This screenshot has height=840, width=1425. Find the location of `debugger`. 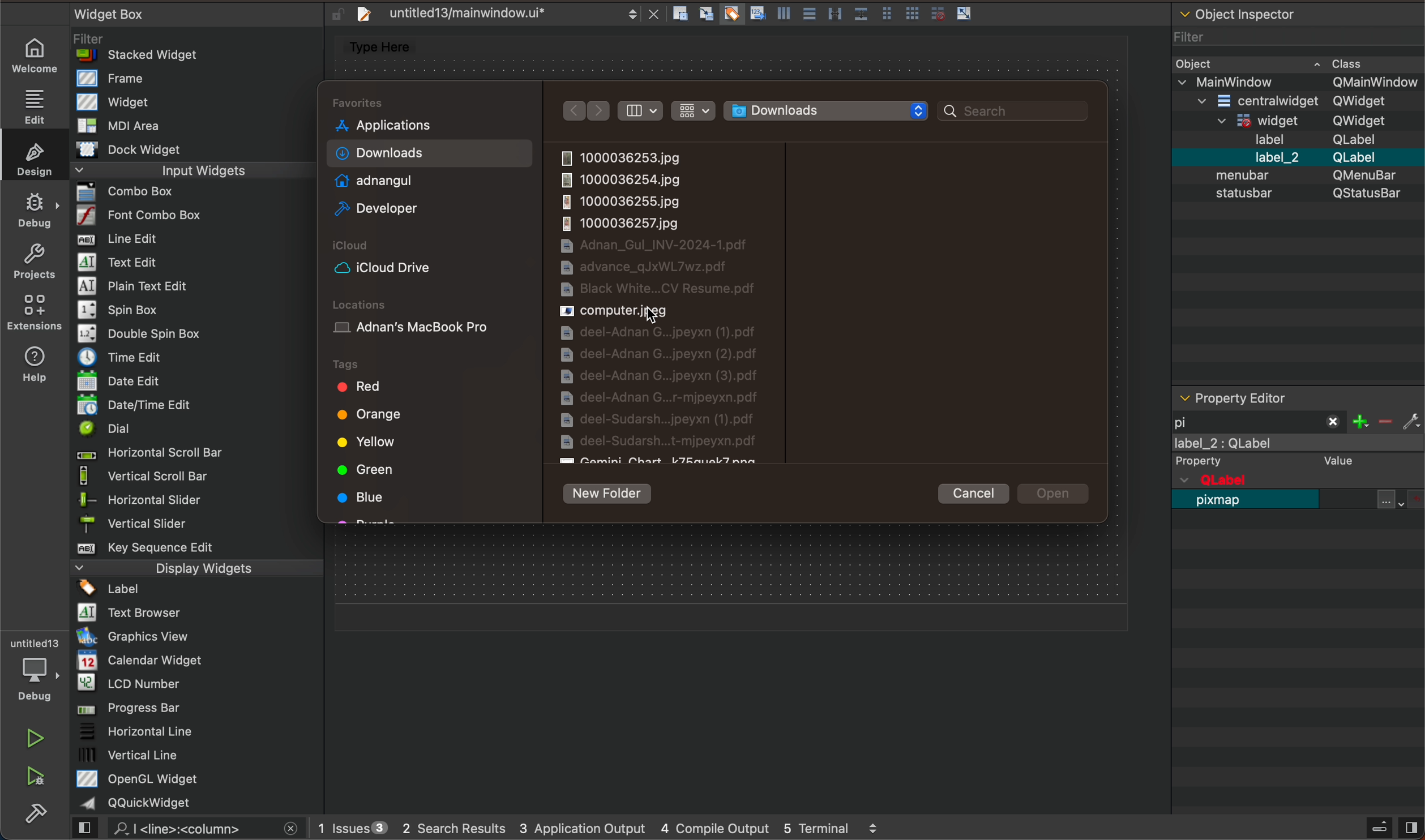

debugger is located at coordinates (33, 668).